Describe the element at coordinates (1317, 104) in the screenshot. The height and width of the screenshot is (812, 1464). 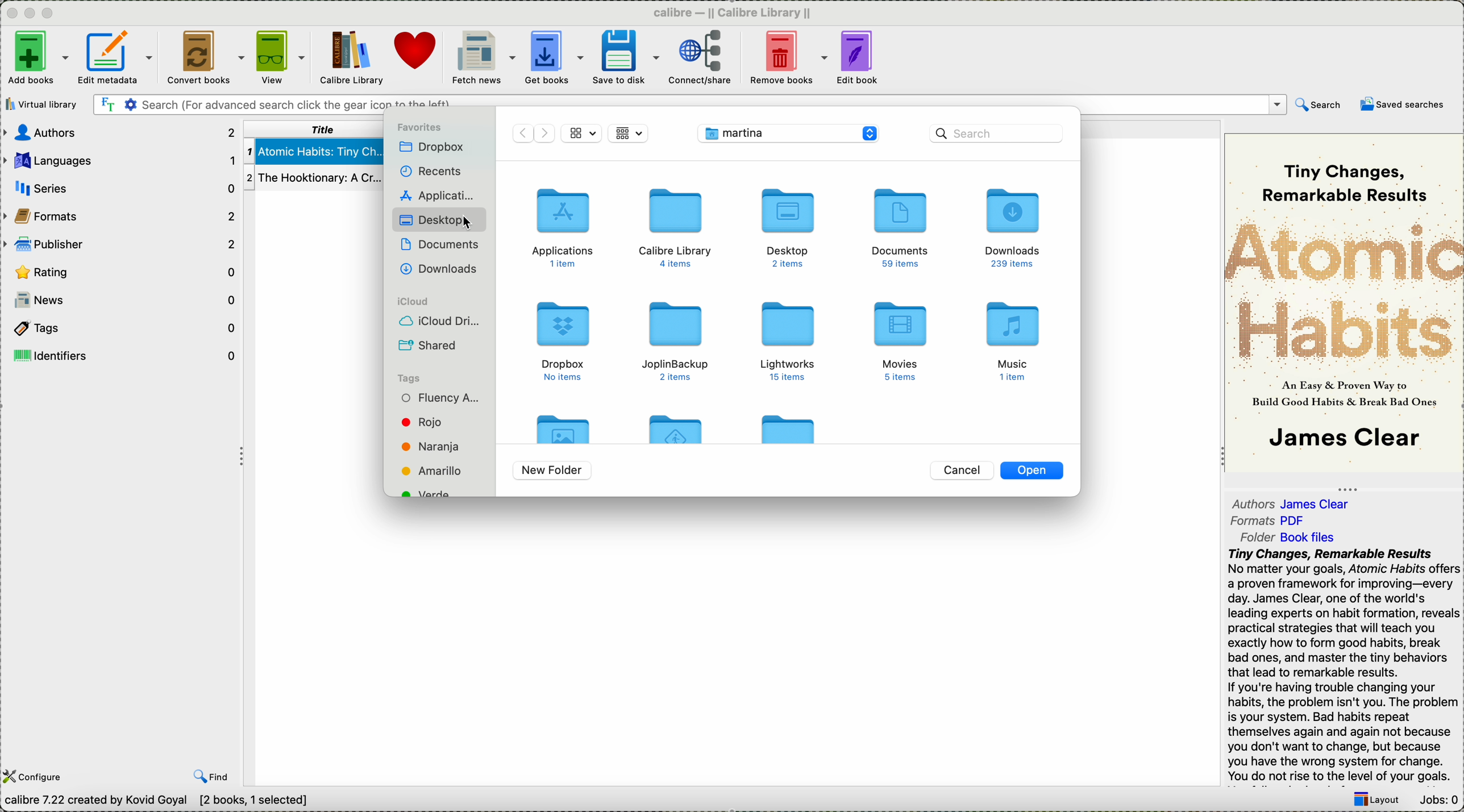
I see `search` at that location.